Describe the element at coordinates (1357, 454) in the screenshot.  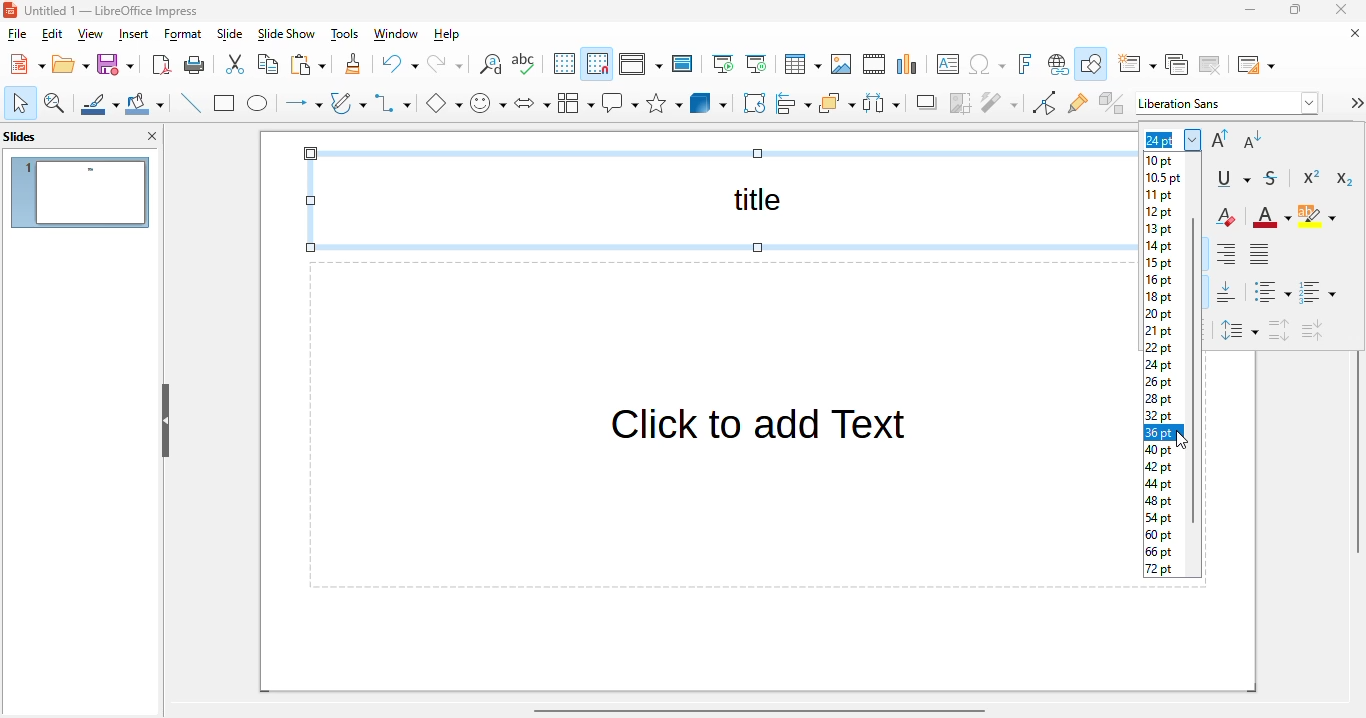
I see `vertical scroll bar` at that location.